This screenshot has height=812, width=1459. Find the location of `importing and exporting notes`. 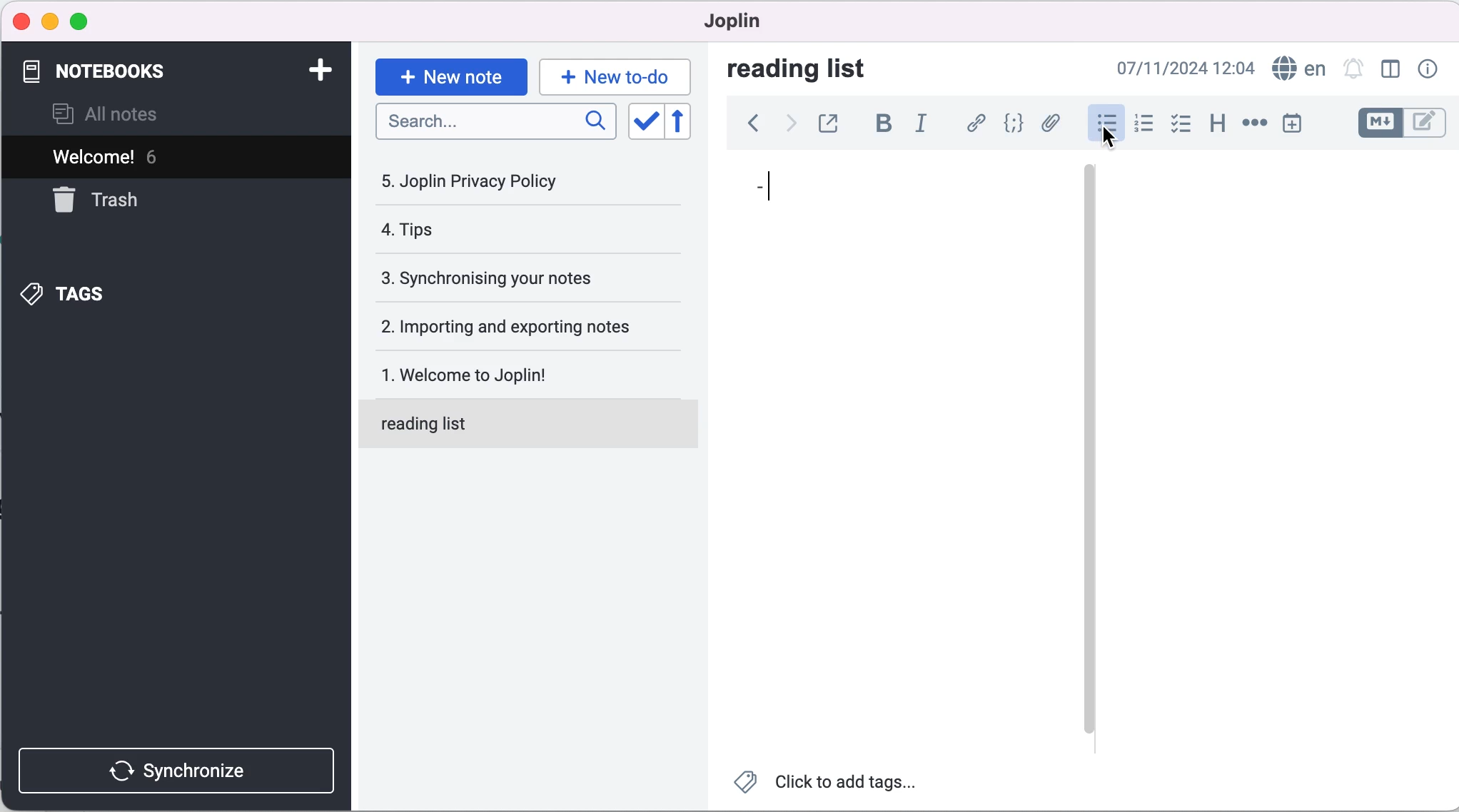

importing and exporting notes is located at coordinates (529, 327).